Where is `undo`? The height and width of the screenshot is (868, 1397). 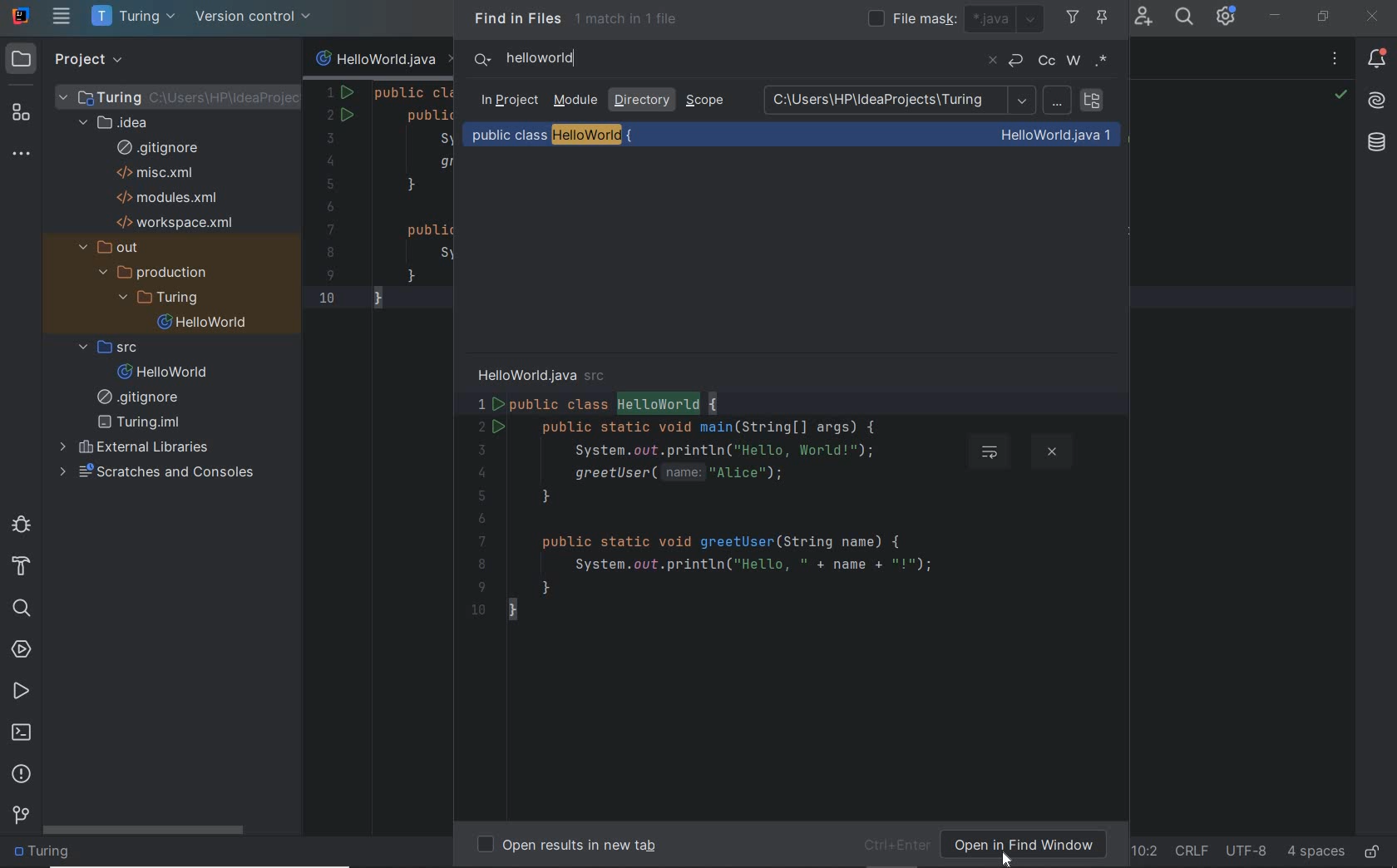
undo is located at coordinates (1024, 62).